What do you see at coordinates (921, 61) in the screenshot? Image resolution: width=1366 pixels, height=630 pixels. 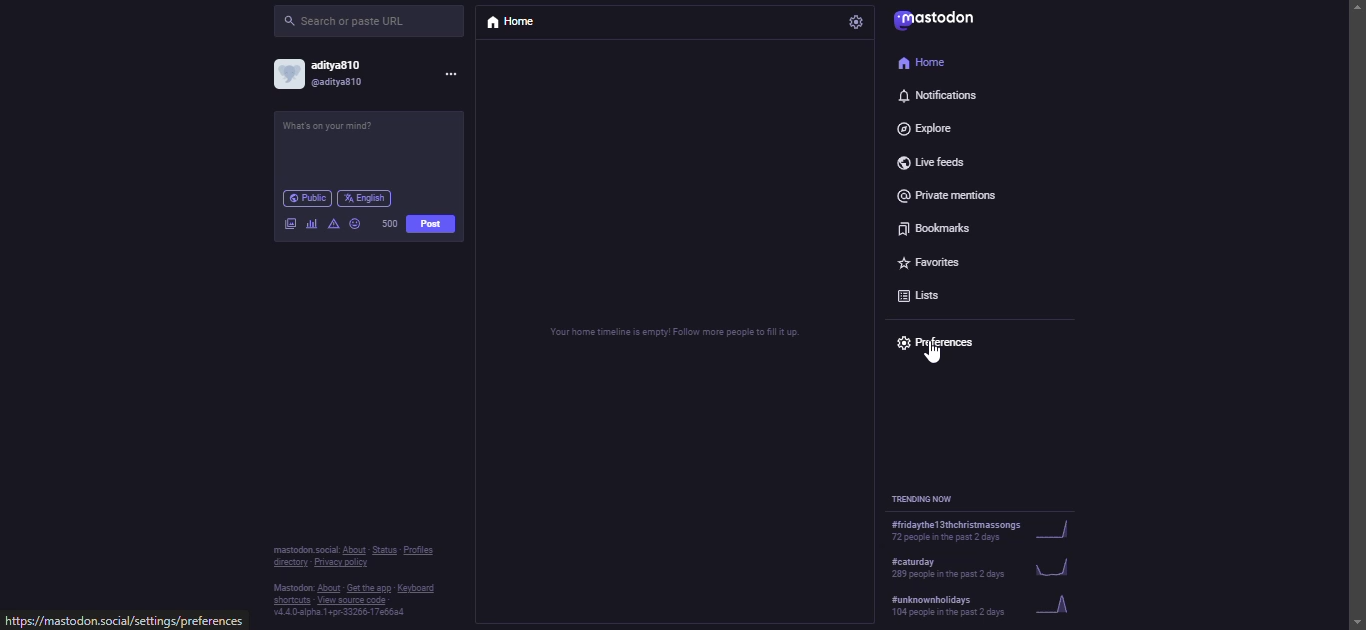 I see `home` at bounding box center [921, 61].